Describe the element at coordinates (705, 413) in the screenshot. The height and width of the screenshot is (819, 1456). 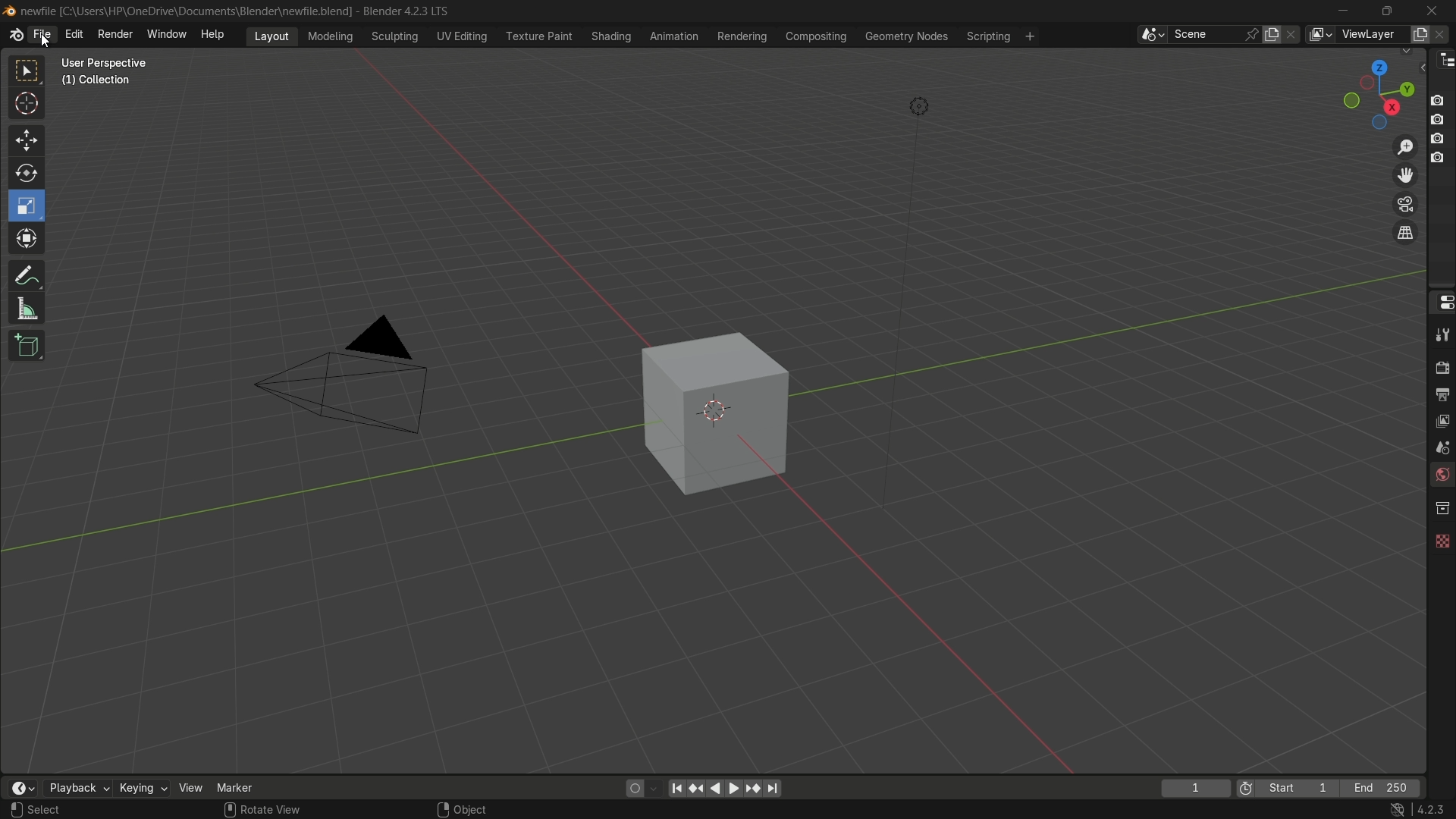
I see `cube` at that location.